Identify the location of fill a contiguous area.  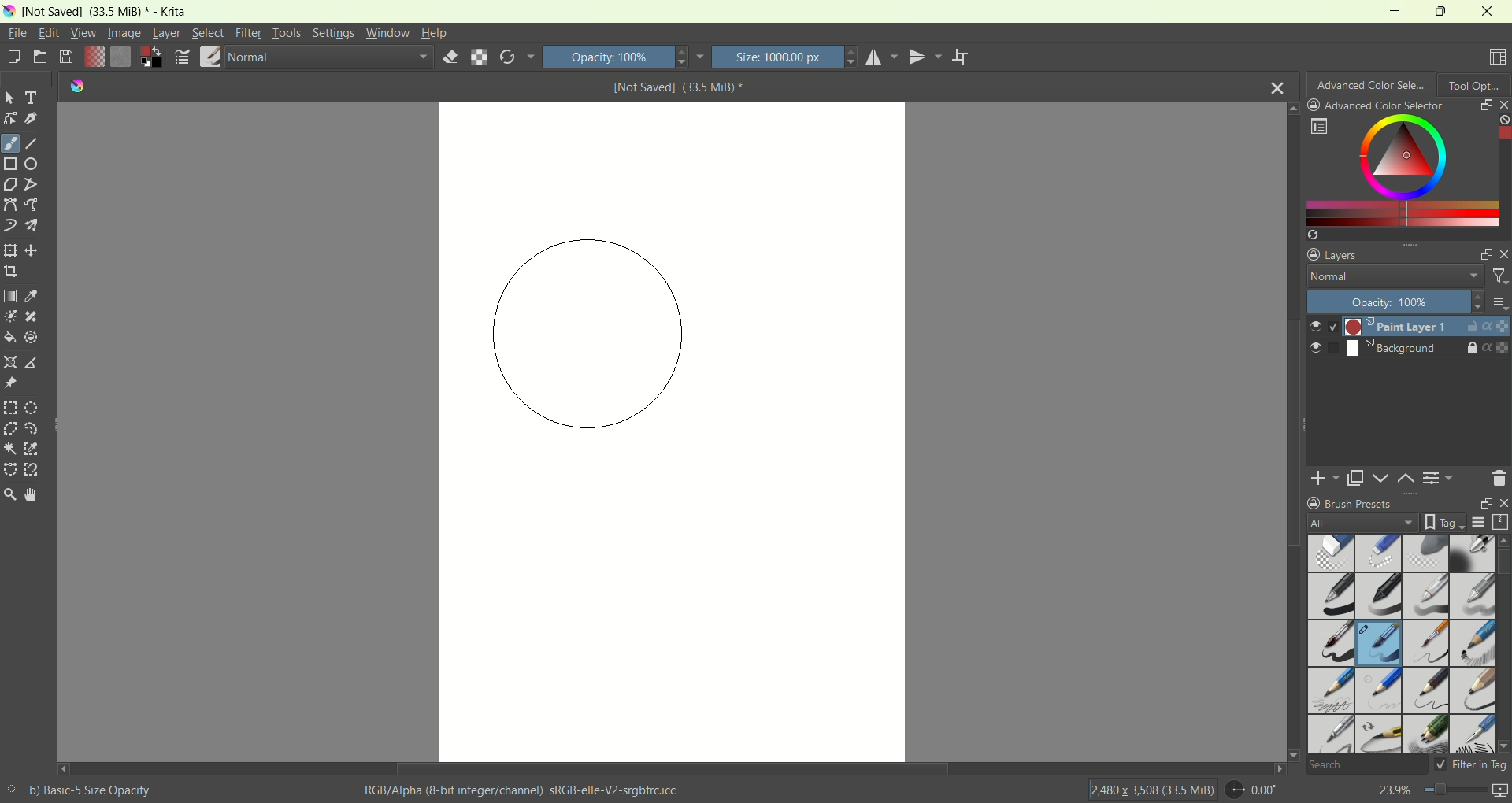
(9, 338).